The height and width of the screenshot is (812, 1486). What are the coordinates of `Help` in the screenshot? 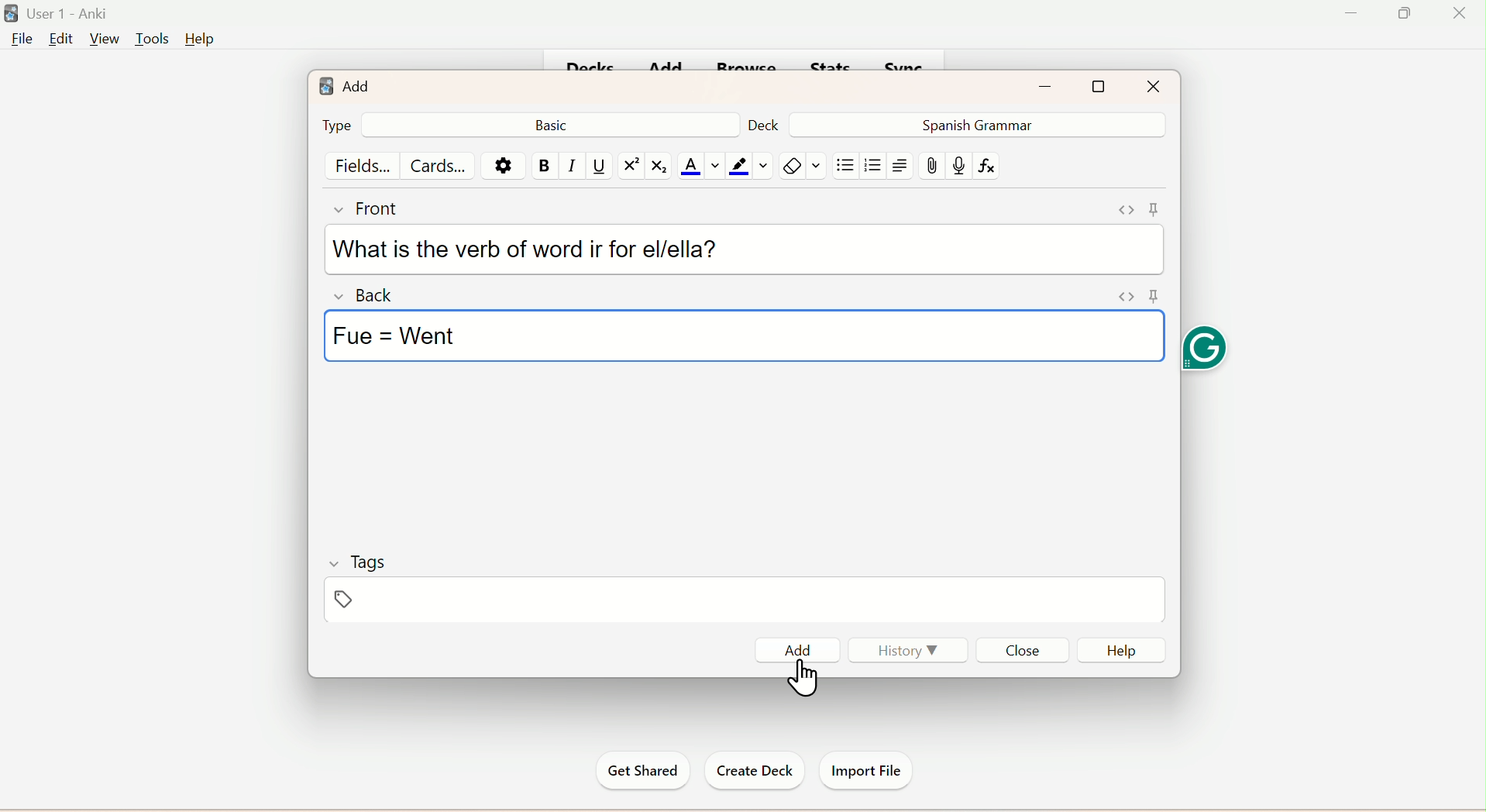 It's located at (1120, 650).